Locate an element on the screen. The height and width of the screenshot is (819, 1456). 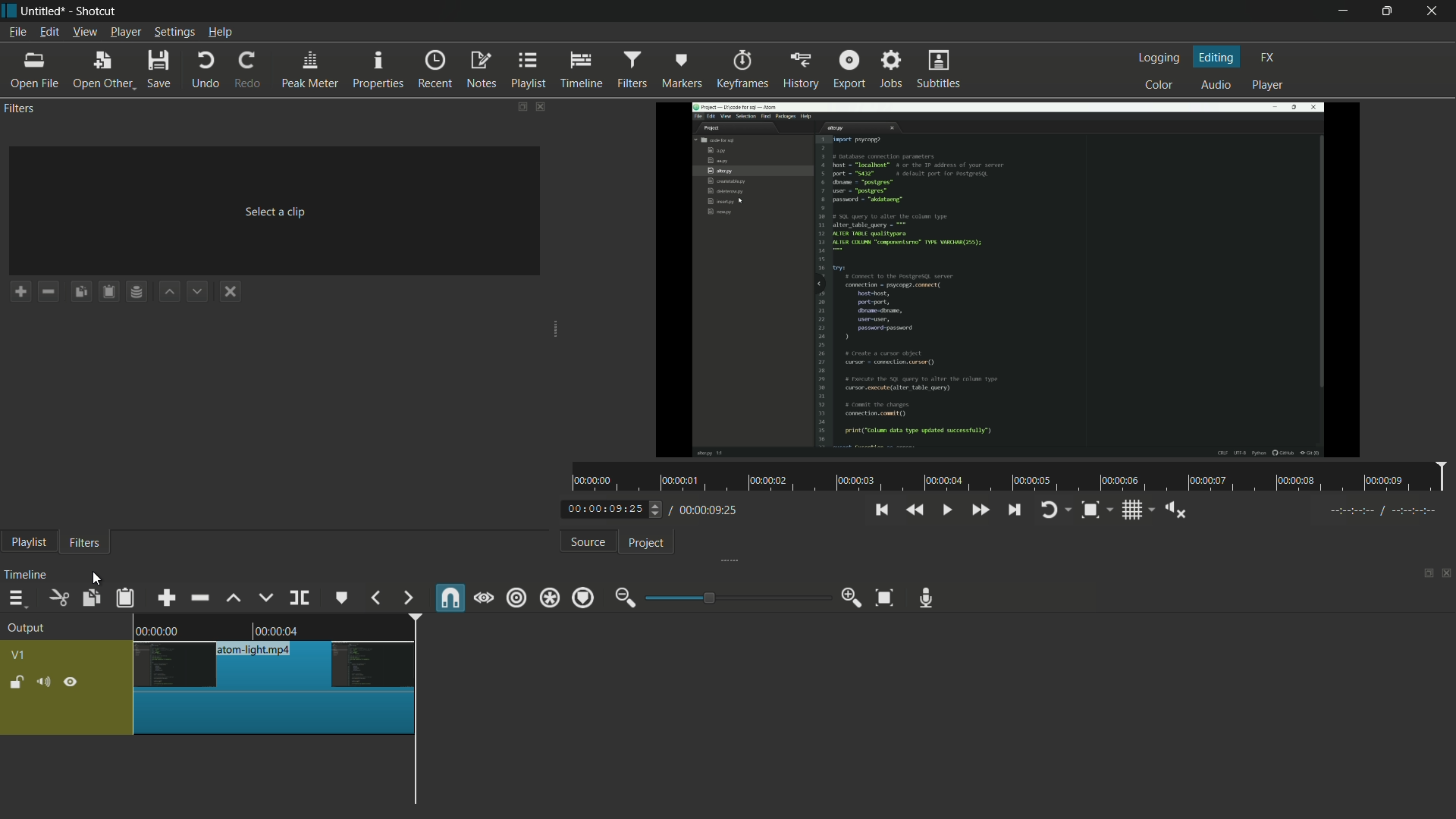
editing is located at coordinates (1217, 56).